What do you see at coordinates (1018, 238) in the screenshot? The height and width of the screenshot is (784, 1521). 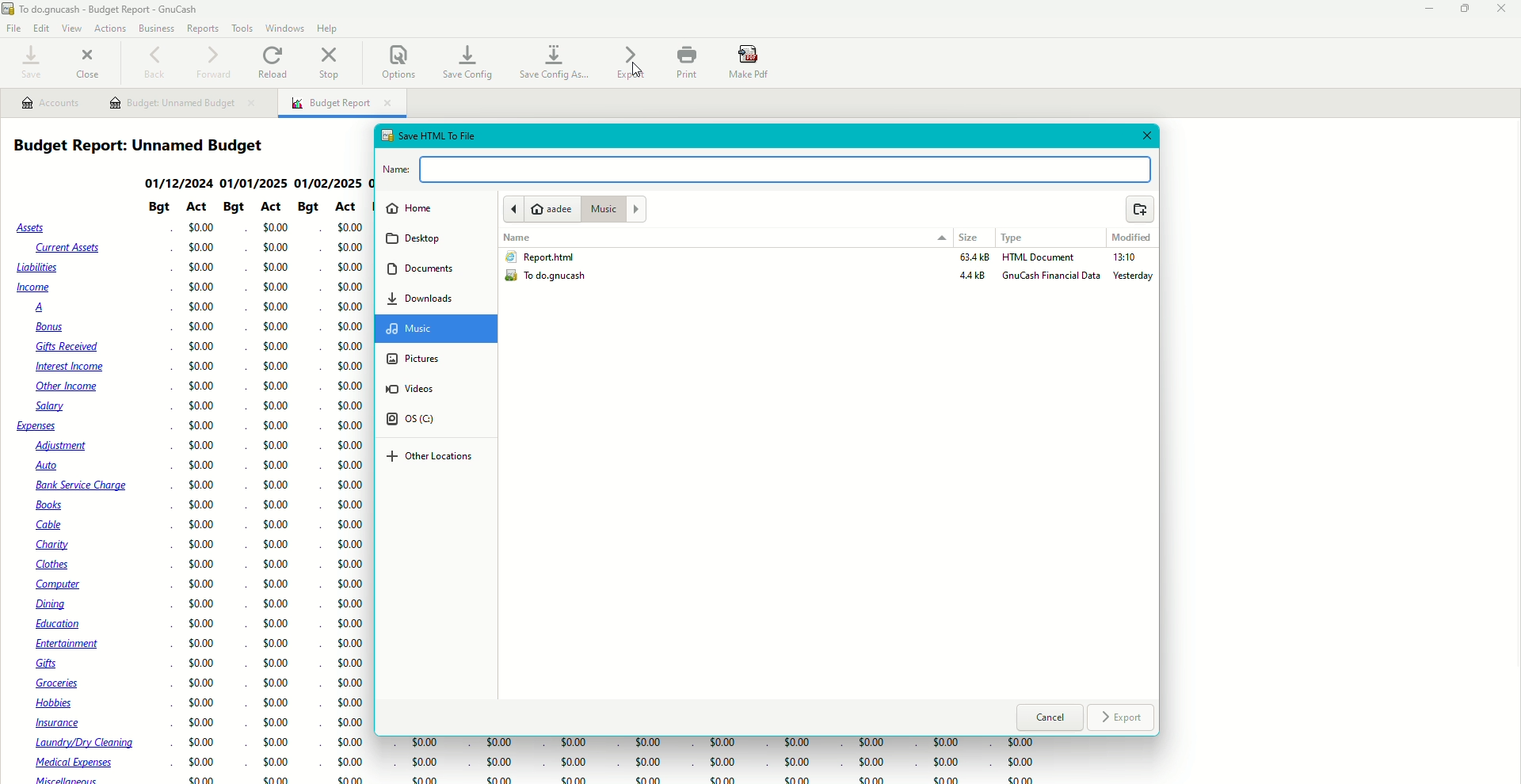 I see `Type` at bounding box center [1018, 238].